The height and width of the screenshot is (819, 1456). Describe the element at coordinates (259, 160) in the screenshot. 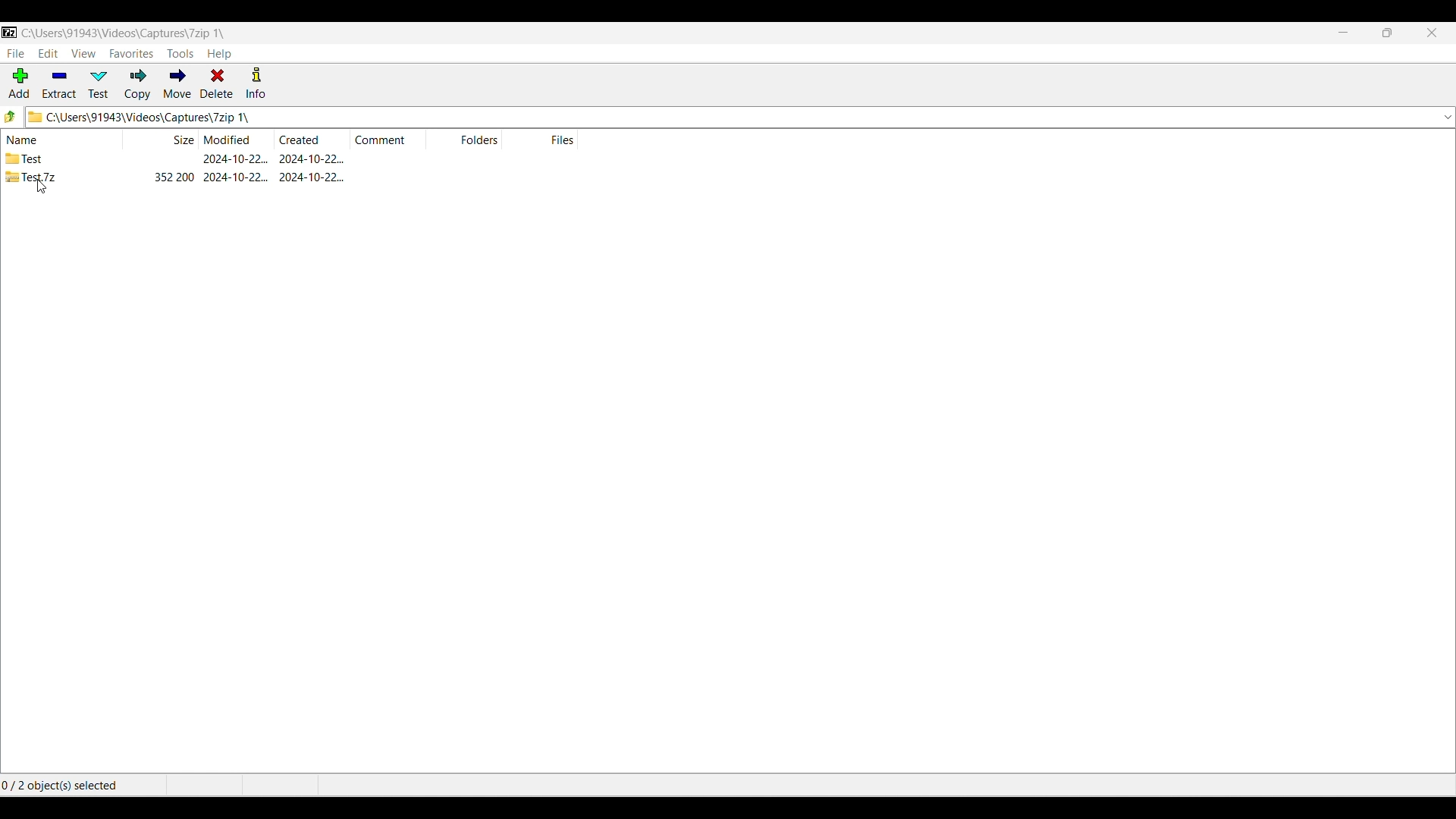

I see `2024-10-22... 2024-10-22...` at that location.